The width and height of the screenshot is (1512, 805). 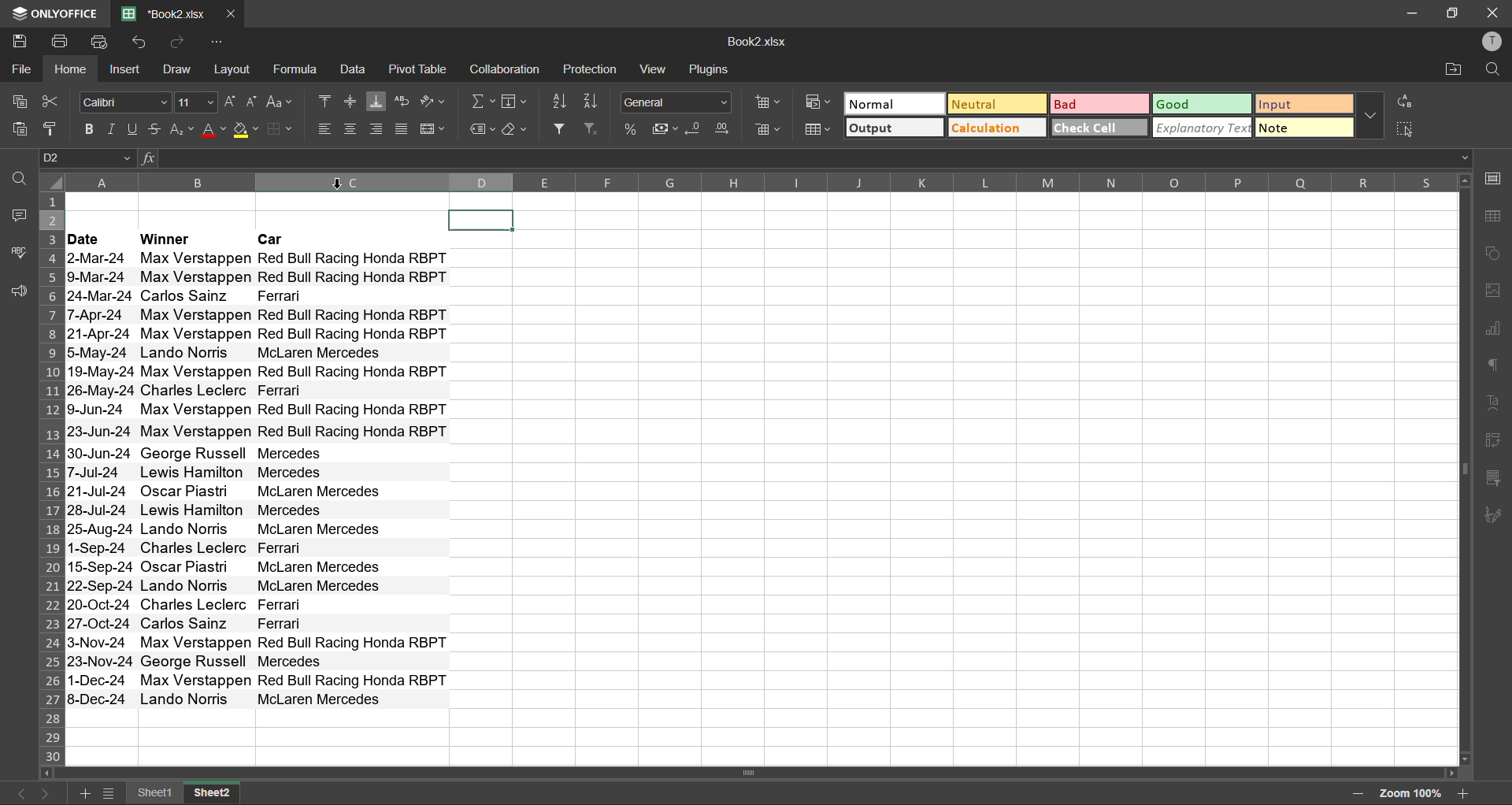 I want to click on sheet2, so click(x=211, y=793).